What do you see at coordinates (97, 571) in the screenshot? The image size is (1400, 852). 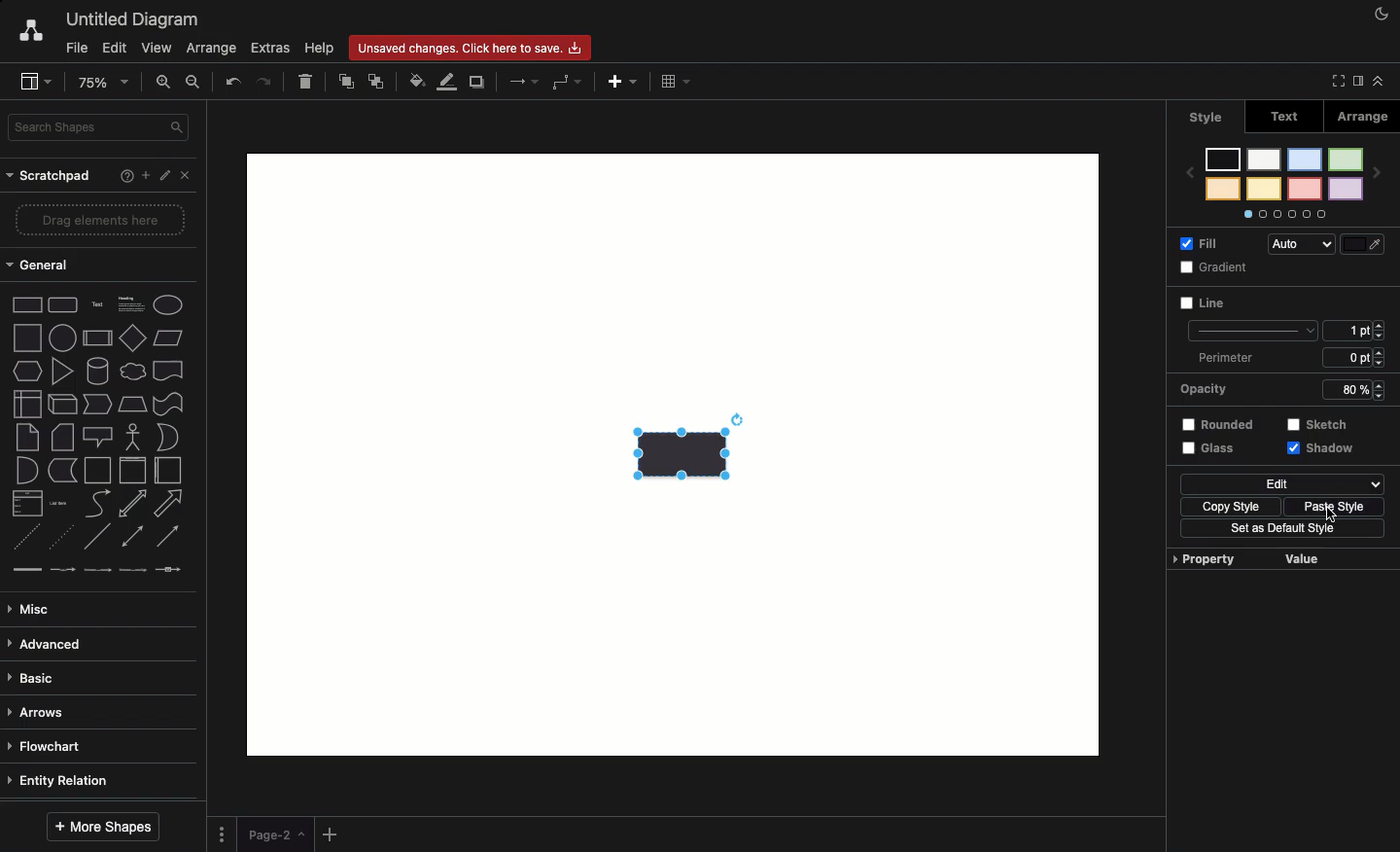 I see `connector with 2 labels` at bounding box center [97, 571].